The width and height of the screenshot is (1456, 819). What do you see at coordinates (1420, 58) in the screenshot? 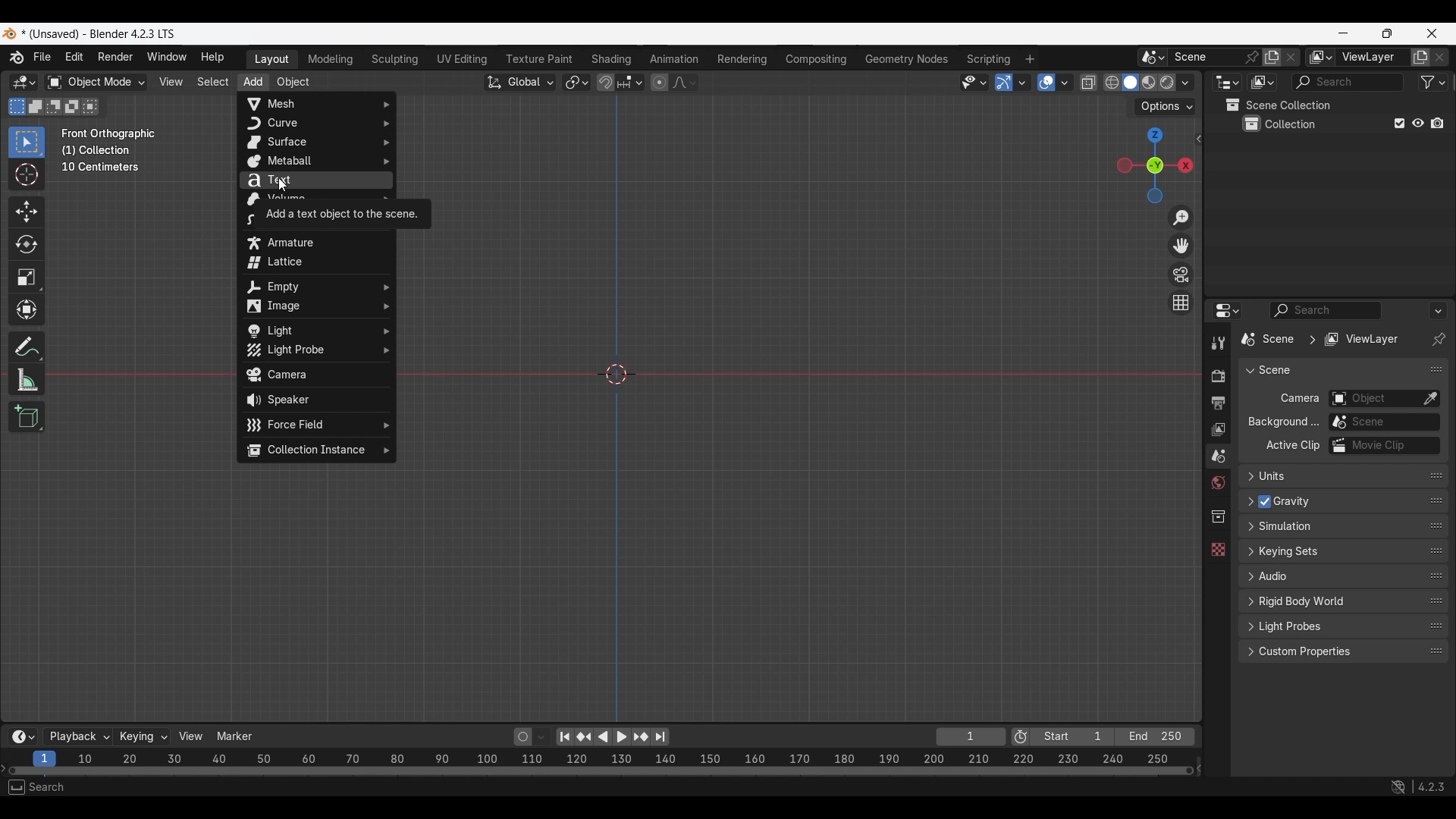
I see `Add view layer` at bounding box center [1420, 58].